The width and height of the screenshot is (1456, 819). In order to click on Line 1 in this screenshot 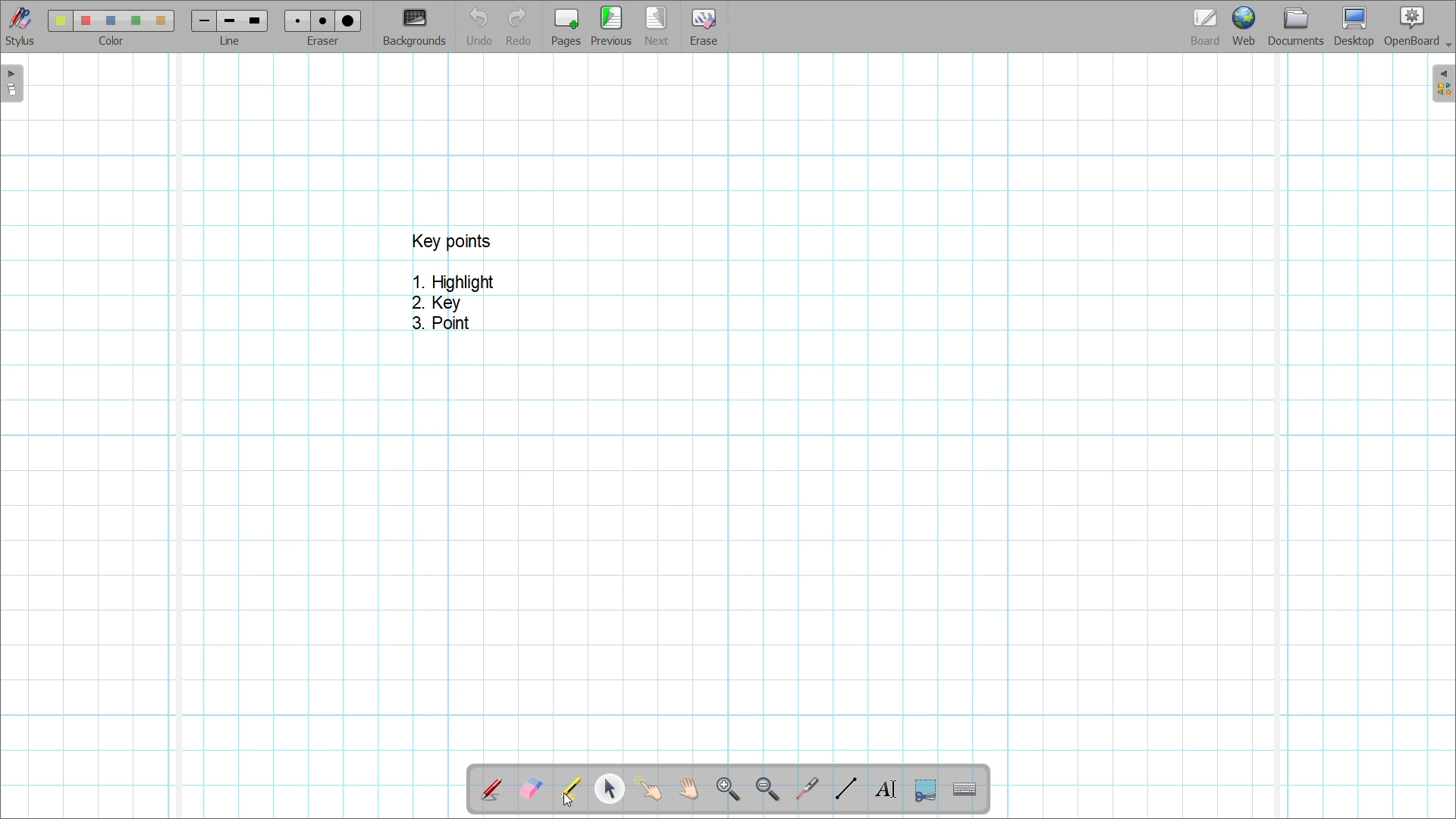, I will do `click(202, 20)`.